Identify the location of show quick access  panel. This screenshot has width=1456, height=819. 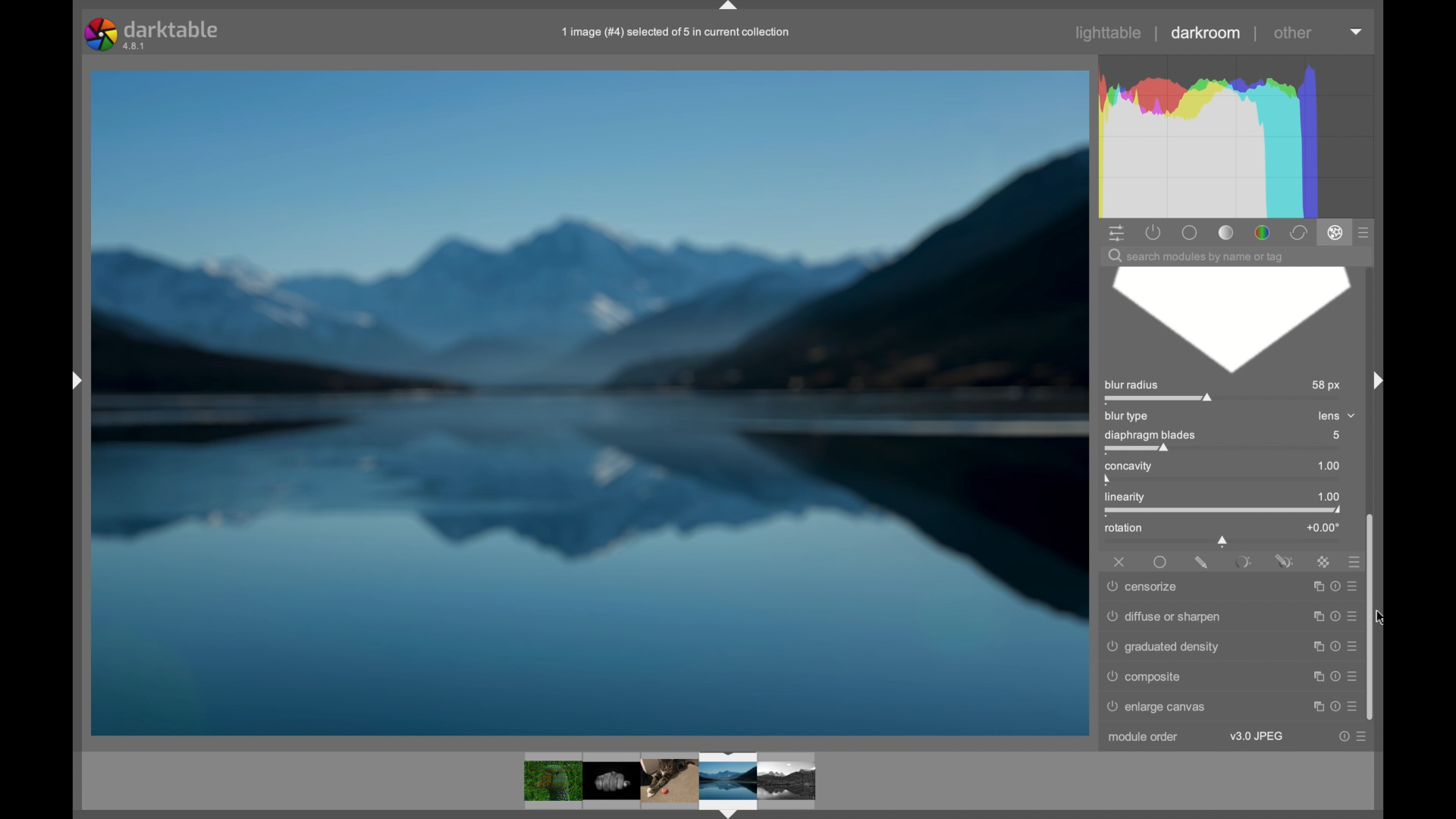
(1116, 232).